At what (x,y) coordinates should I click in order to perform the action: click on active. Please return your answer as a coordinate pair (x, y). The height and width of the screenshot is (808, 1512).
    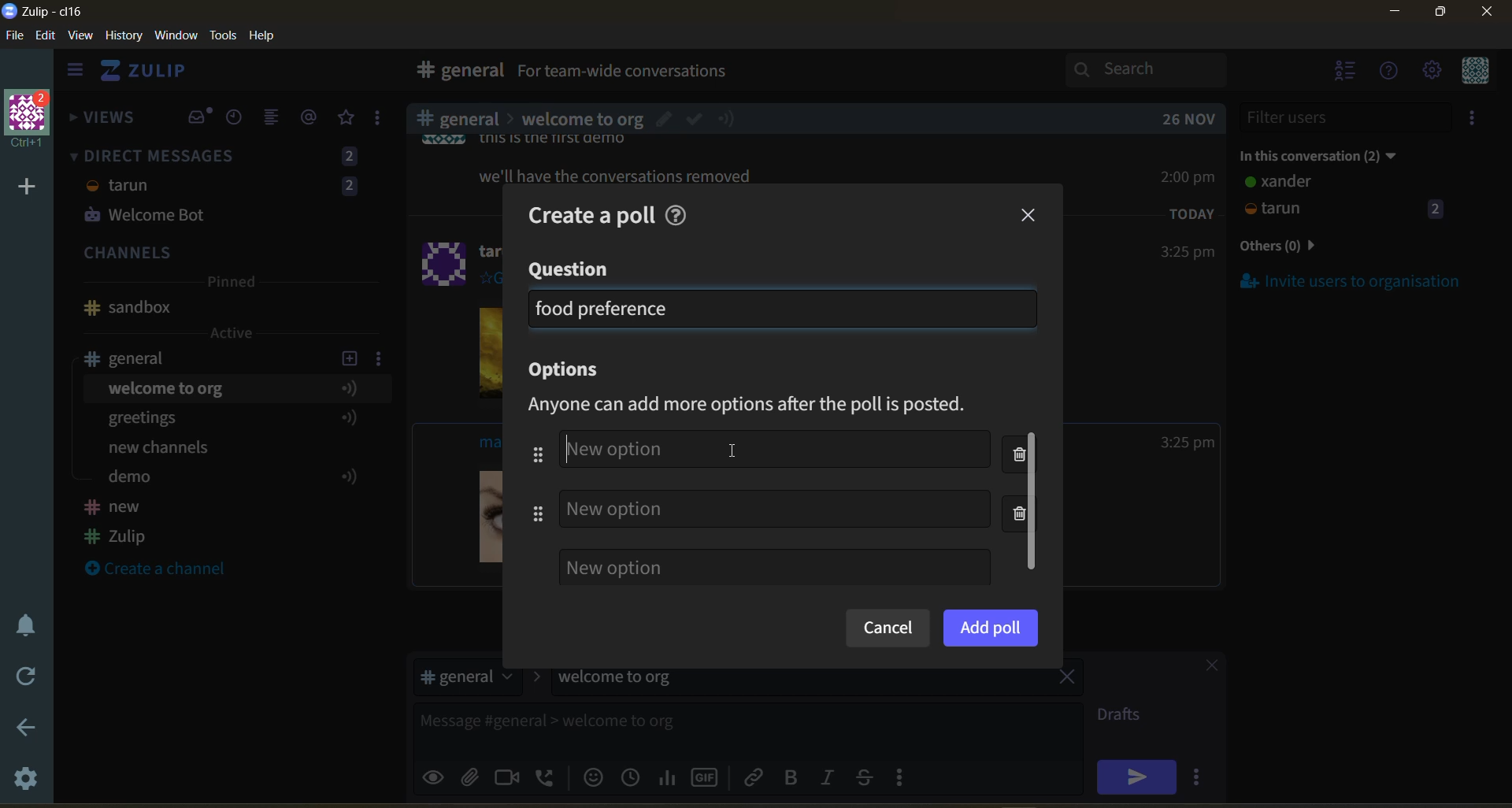
    Looking at the image, I should click on (233, 333).